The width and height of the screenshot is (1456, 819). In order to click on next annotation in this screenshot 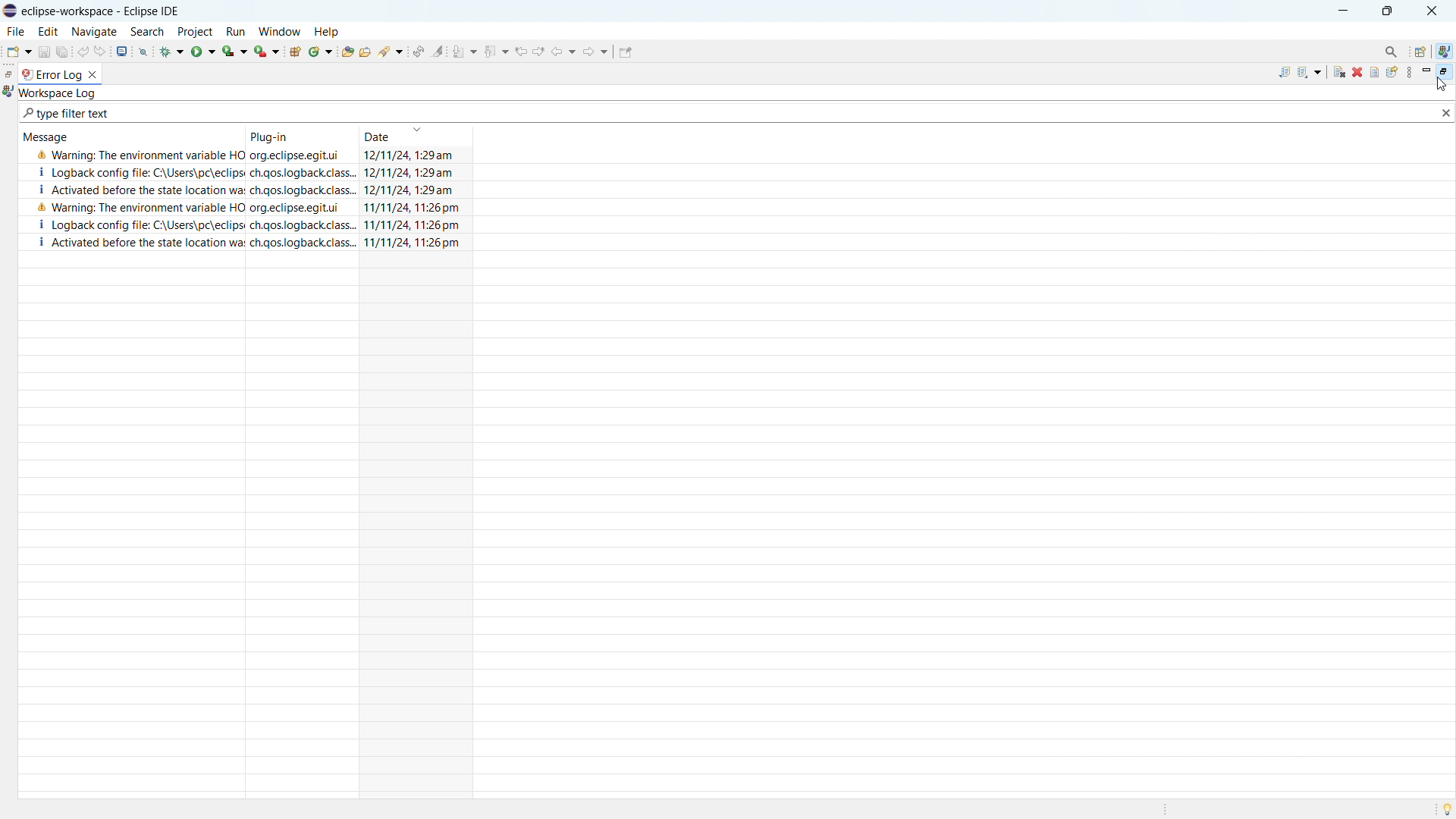, I will do `click(466, 51)`.